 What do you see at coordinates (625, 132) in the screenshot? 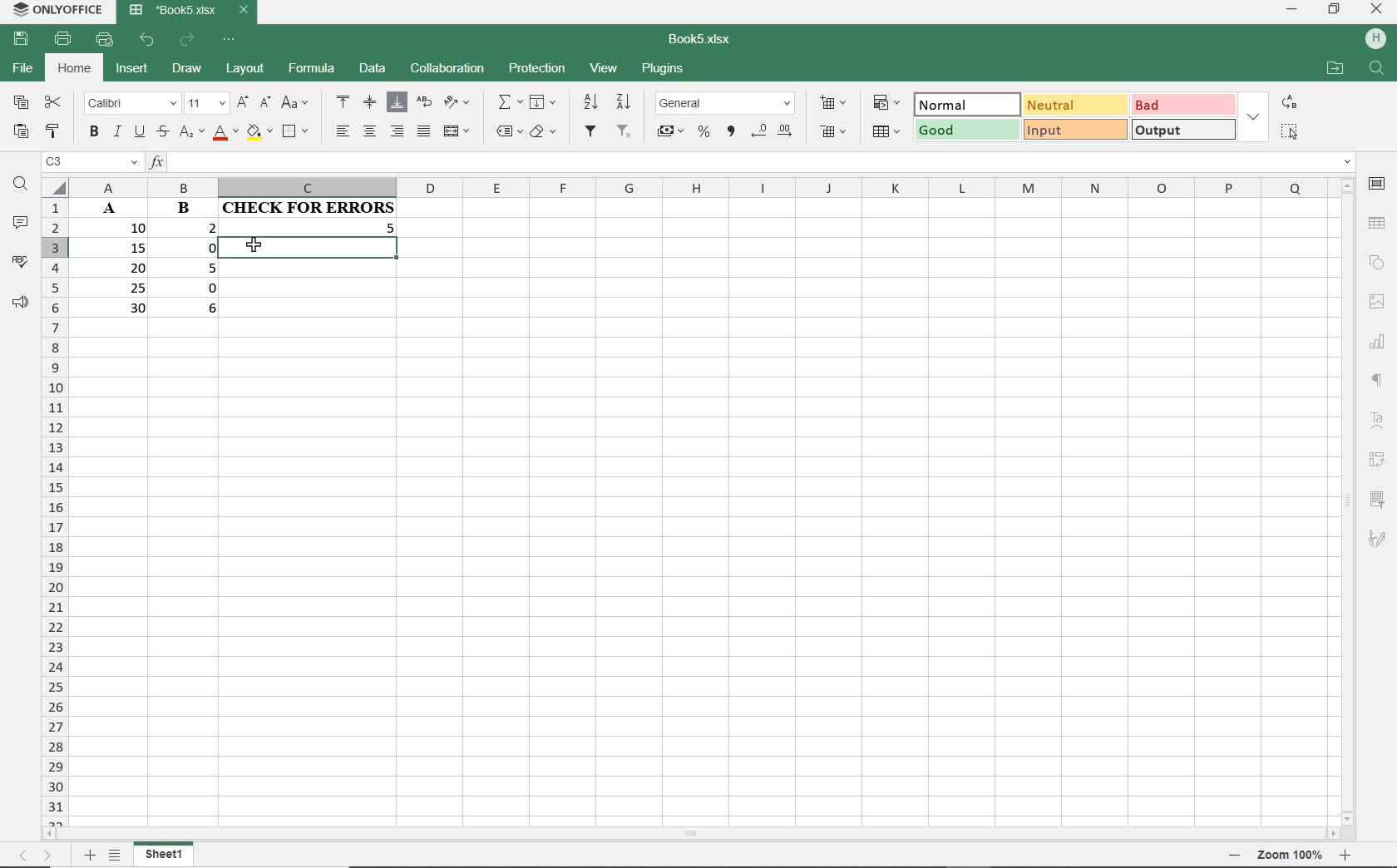
I see `REMOVE FILTERS` at bounding box center [625, 132].